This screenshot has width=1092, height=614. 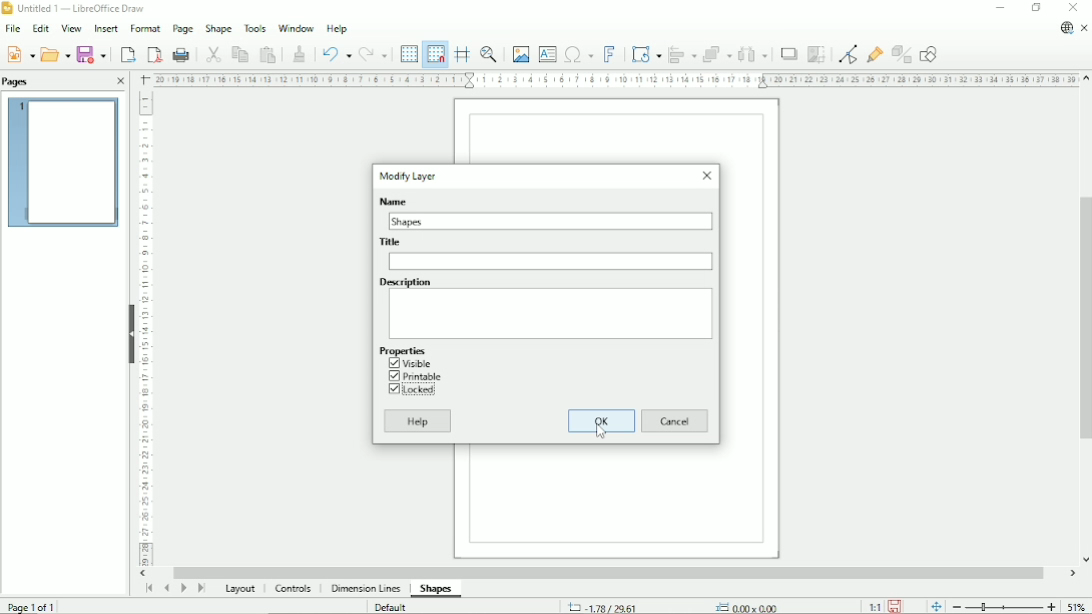 I want to click on Close, so click(x=1074, y=7).